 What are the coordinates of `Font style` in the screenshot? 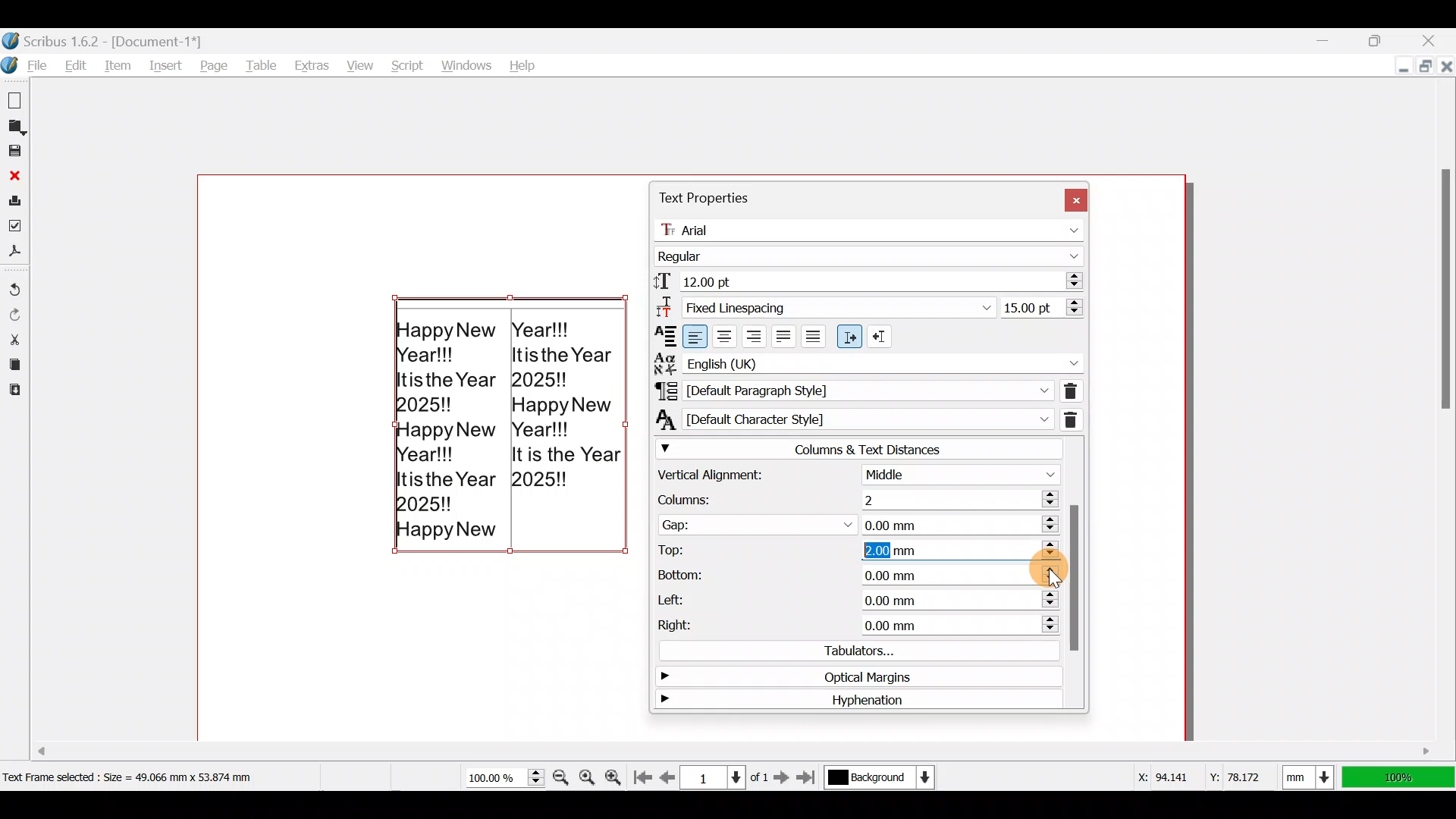 It's located at (872, 253).